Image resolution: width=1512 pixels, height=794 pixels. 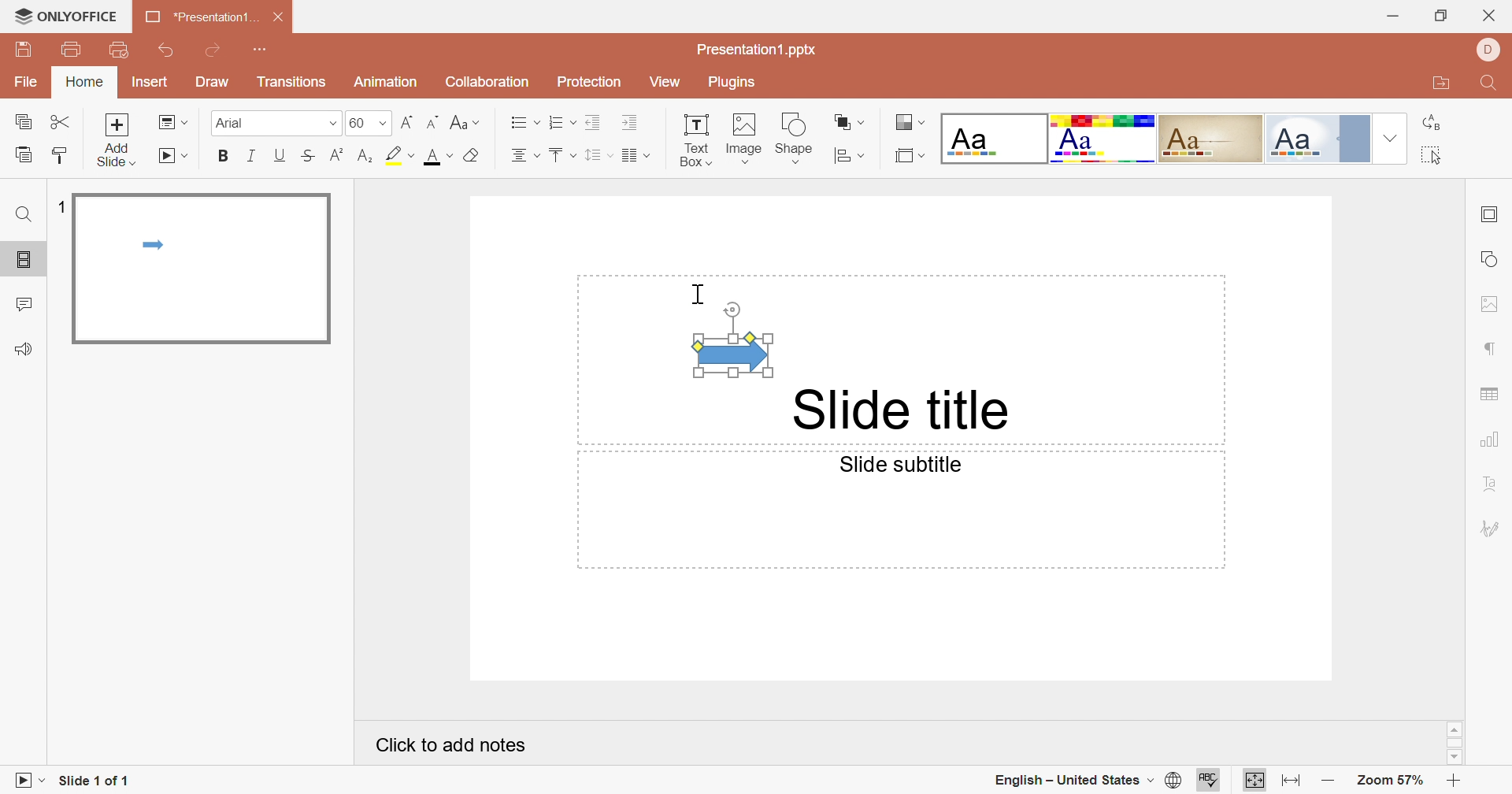 I want to click on Zoom out, so click(x=1328, y=781).